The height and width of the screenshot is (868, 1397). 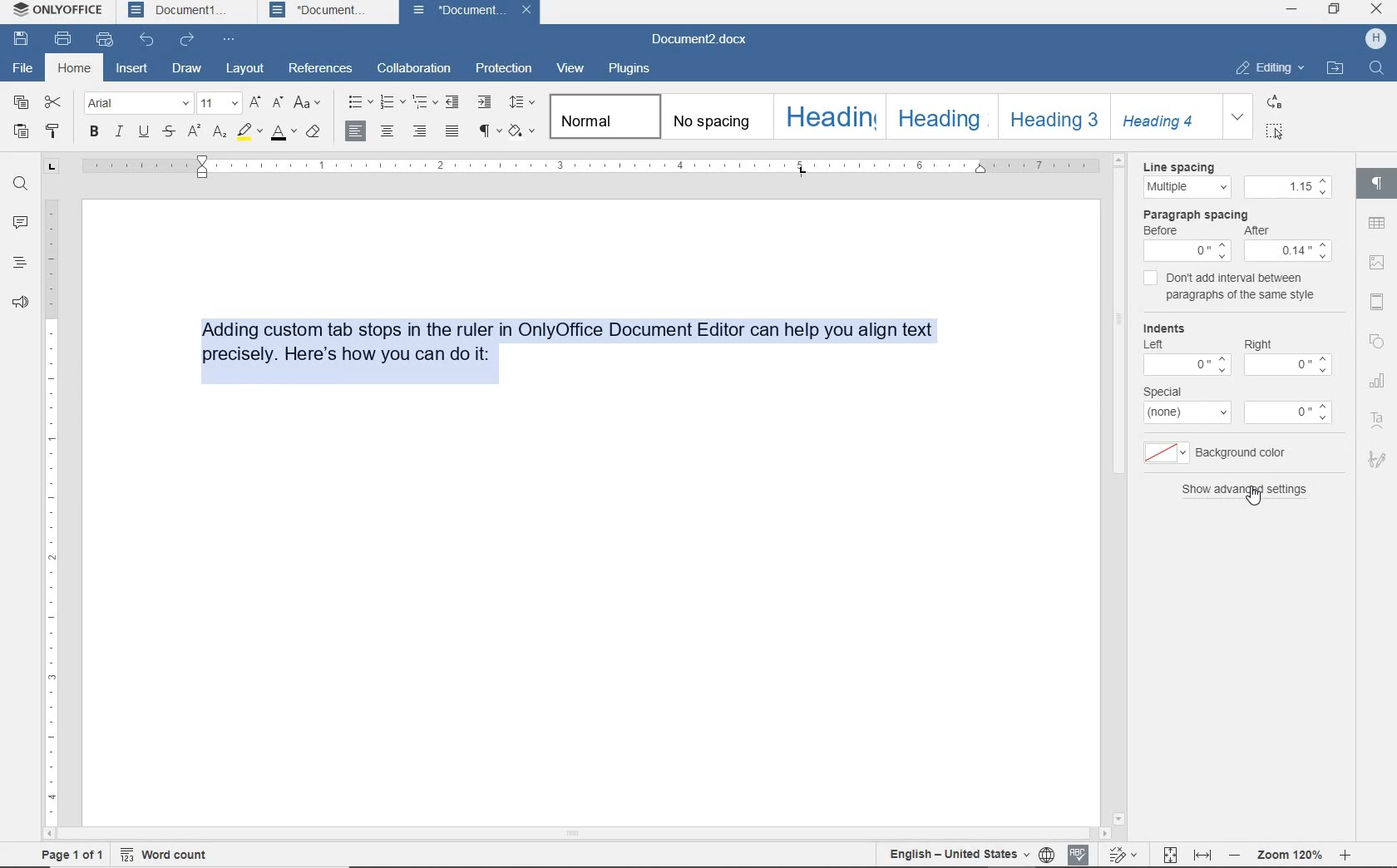 What do you see at coordinates (232, 41) in the screenshot?
I see `customize quick access toolbar` at bounding box center [232, 41].